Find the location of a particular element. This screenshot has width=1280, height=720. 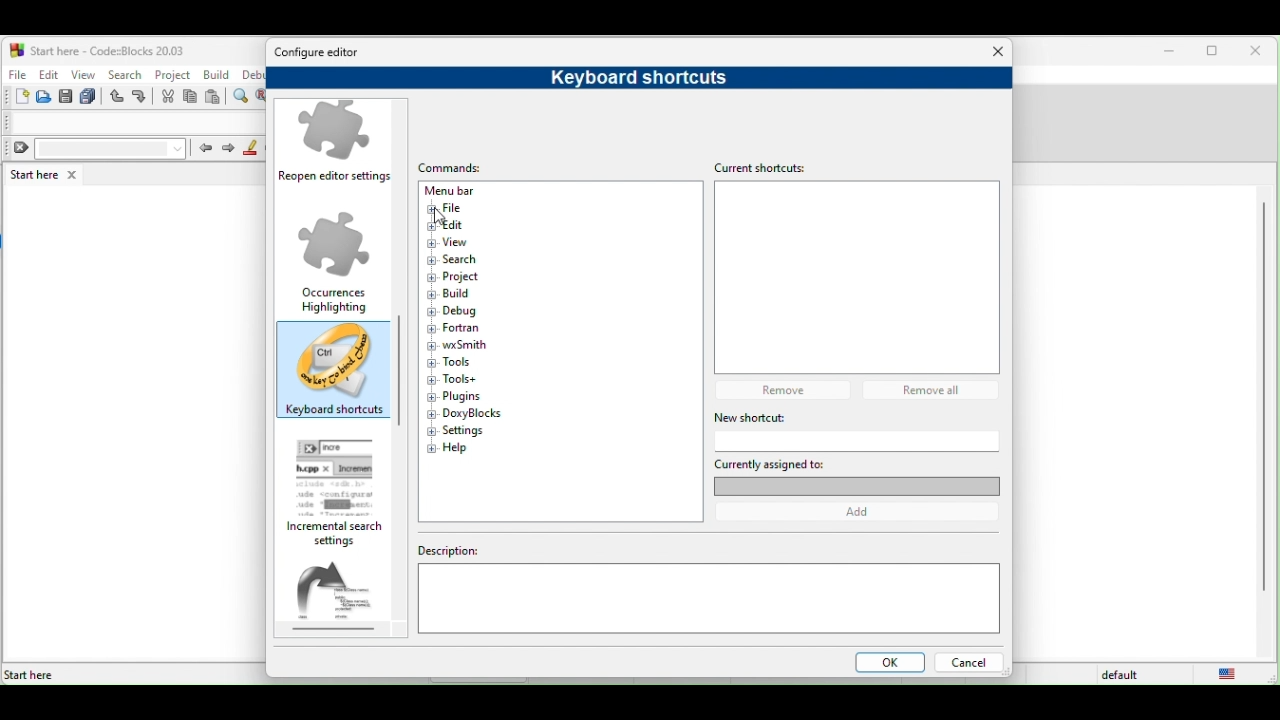

edit is located at coordinates (460, 225).